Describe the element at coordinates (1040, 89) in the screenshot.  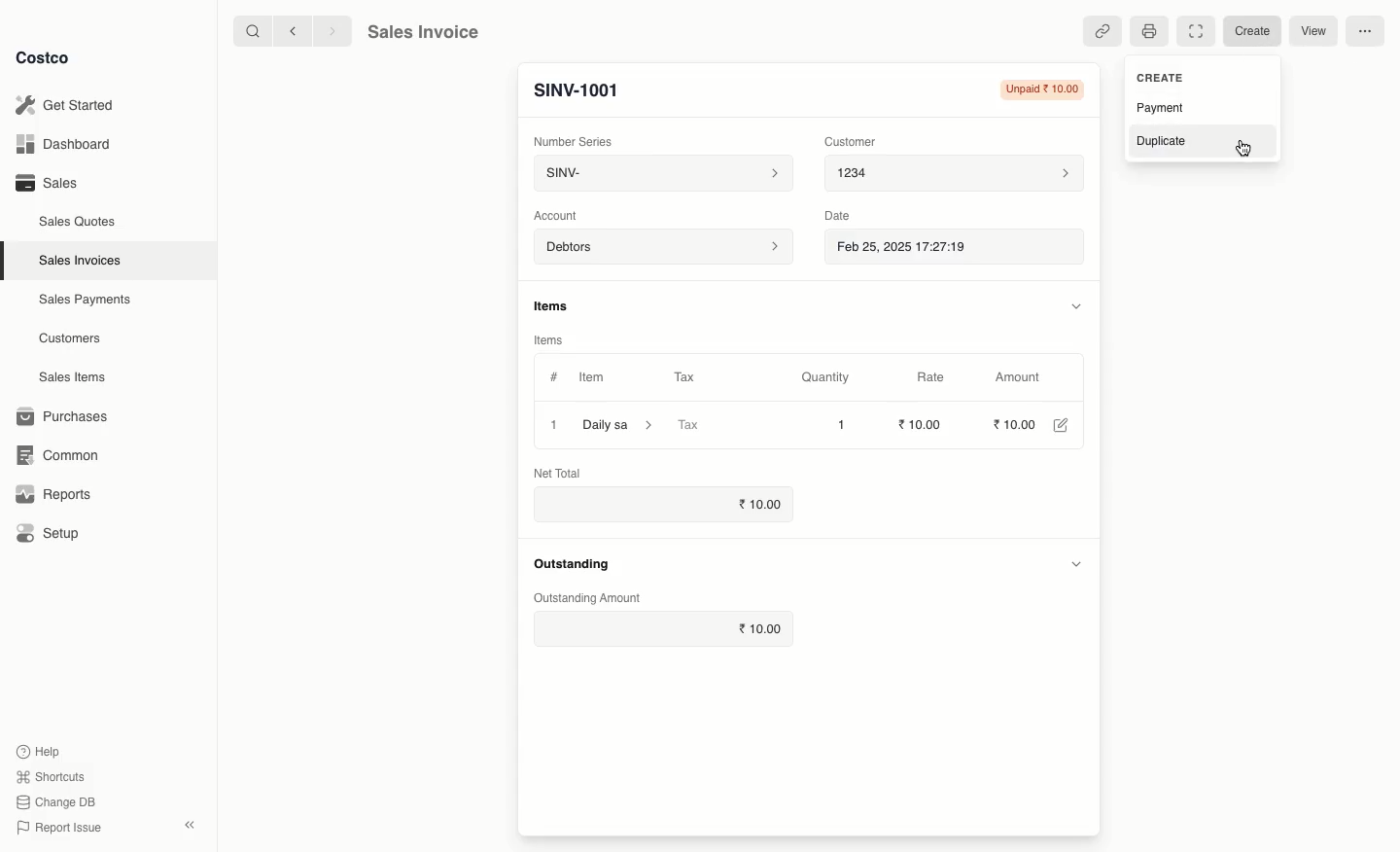
I see `Unpaid 10.00` at that location.